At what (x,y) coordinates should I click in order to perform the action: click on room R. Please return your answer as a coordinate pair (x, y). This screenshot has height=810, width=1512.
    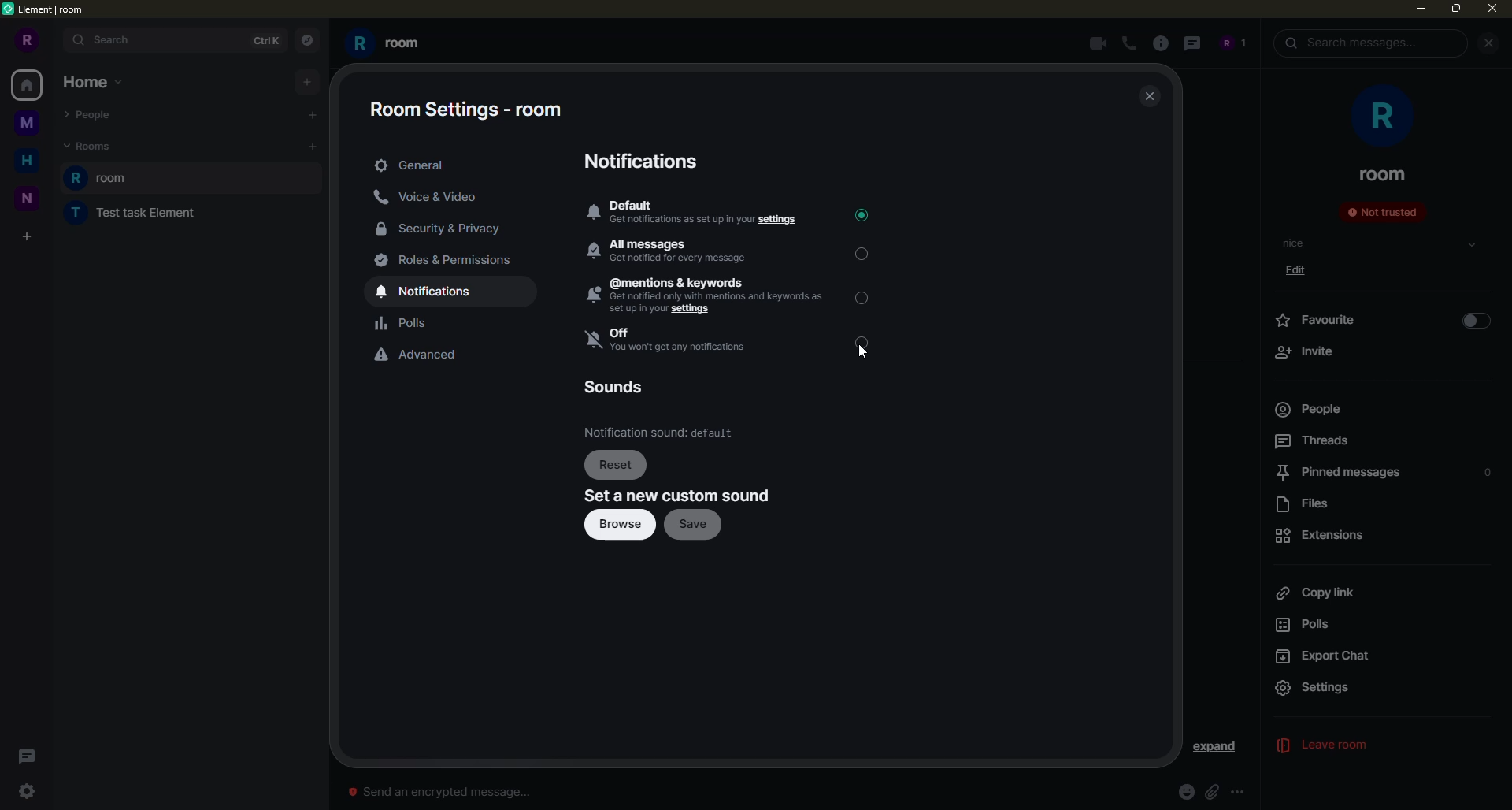
    Looking at the image, I should click on (391, 45).